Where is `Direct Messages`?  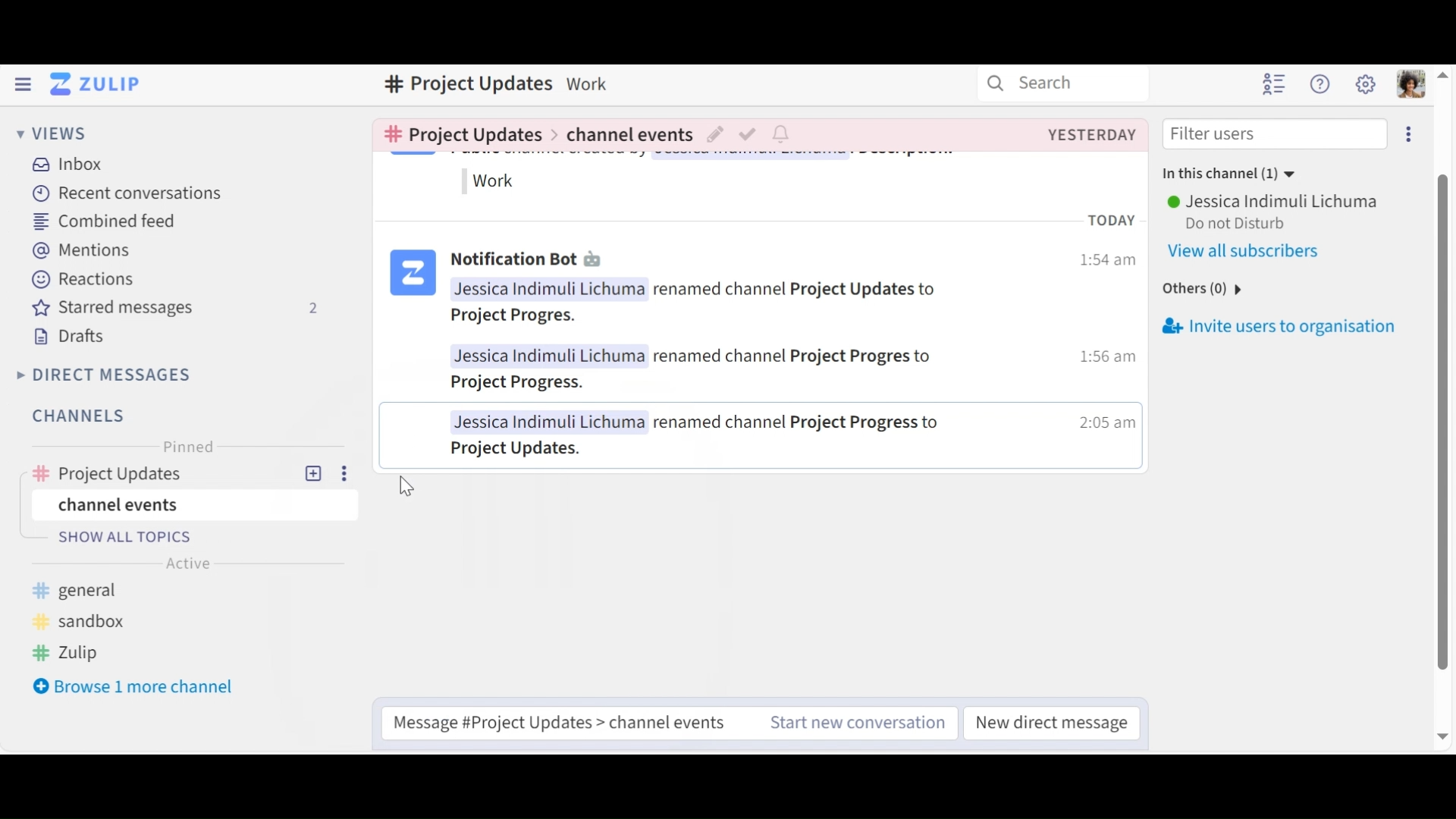 Direct Messages is located at coordinates (105, 375).